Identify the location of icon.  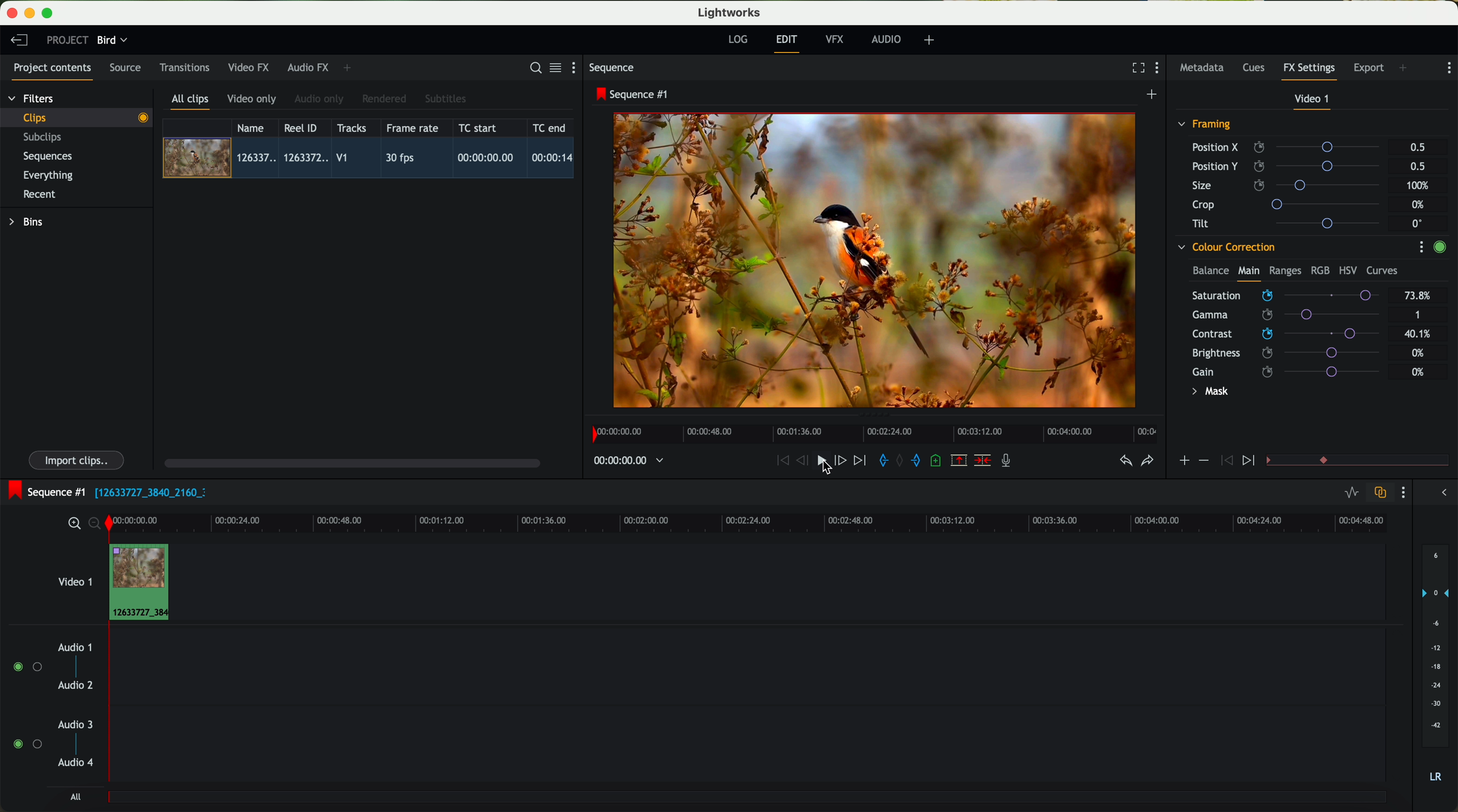
(1183, 462).